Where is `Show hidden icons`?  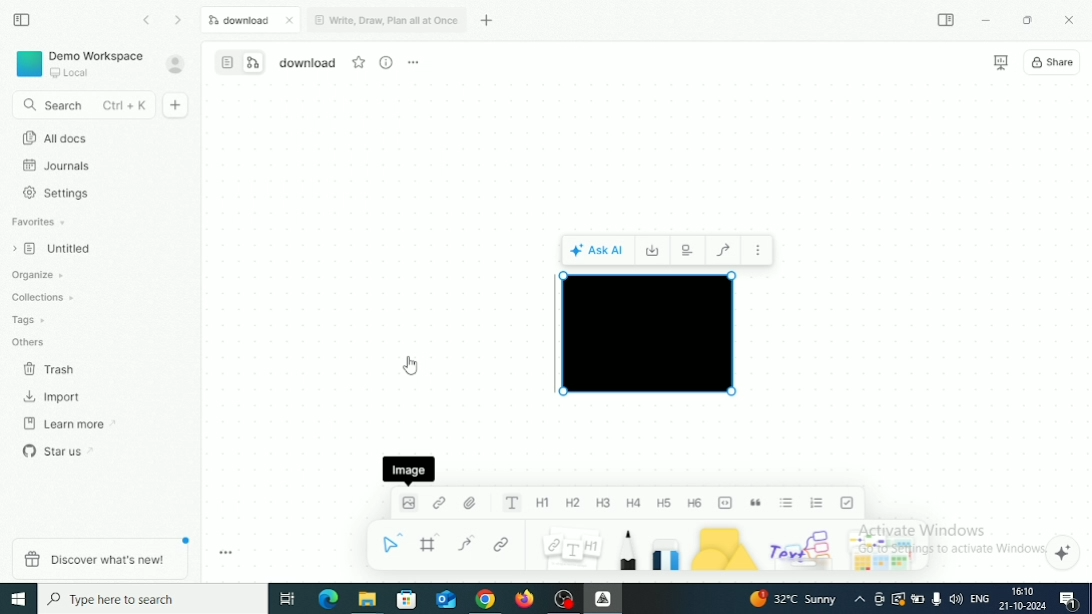 Show hidden icons is located at coordinates (860, 599).